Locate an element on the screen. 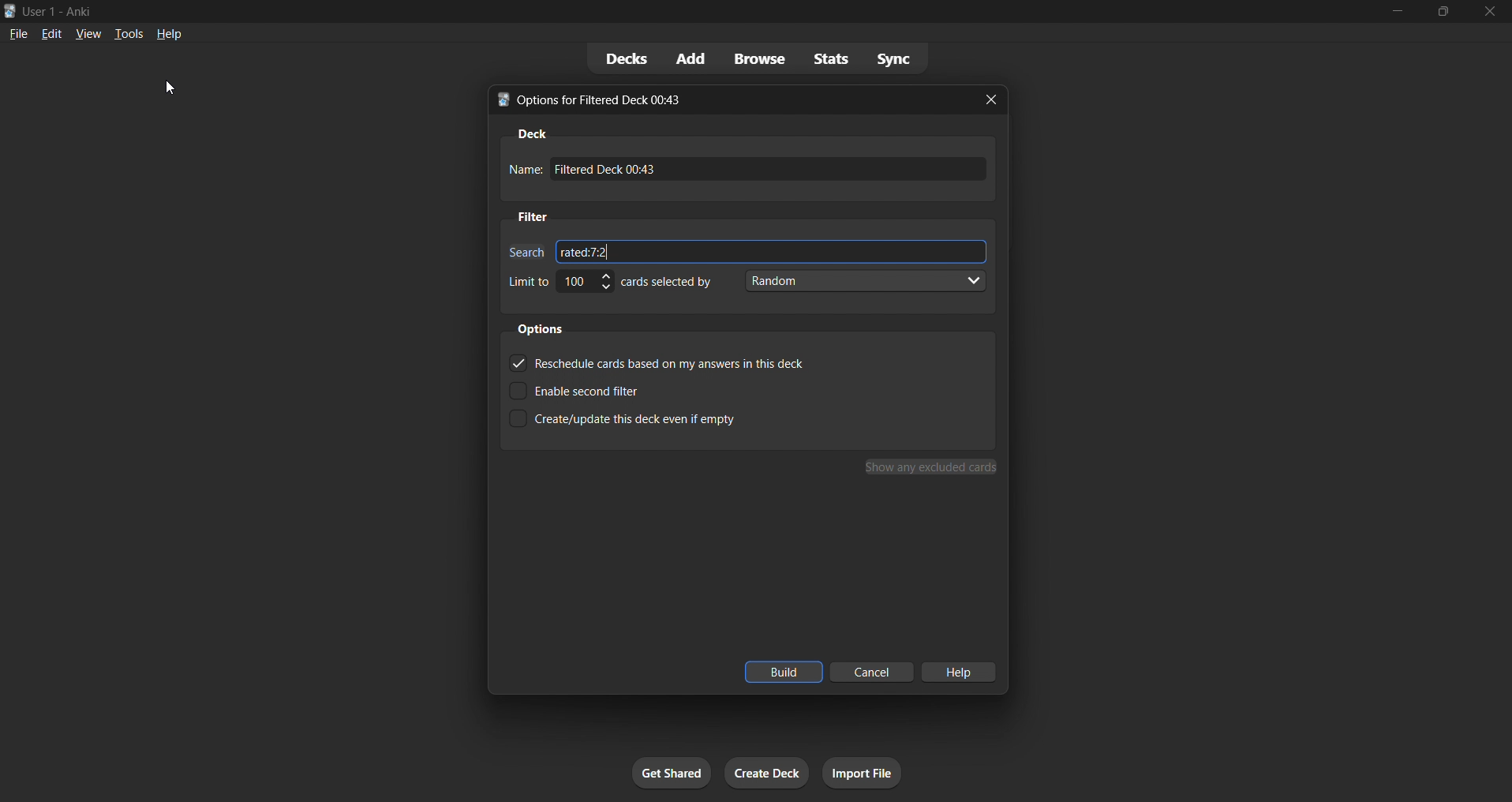  browse is located at coordinates (751, 58).